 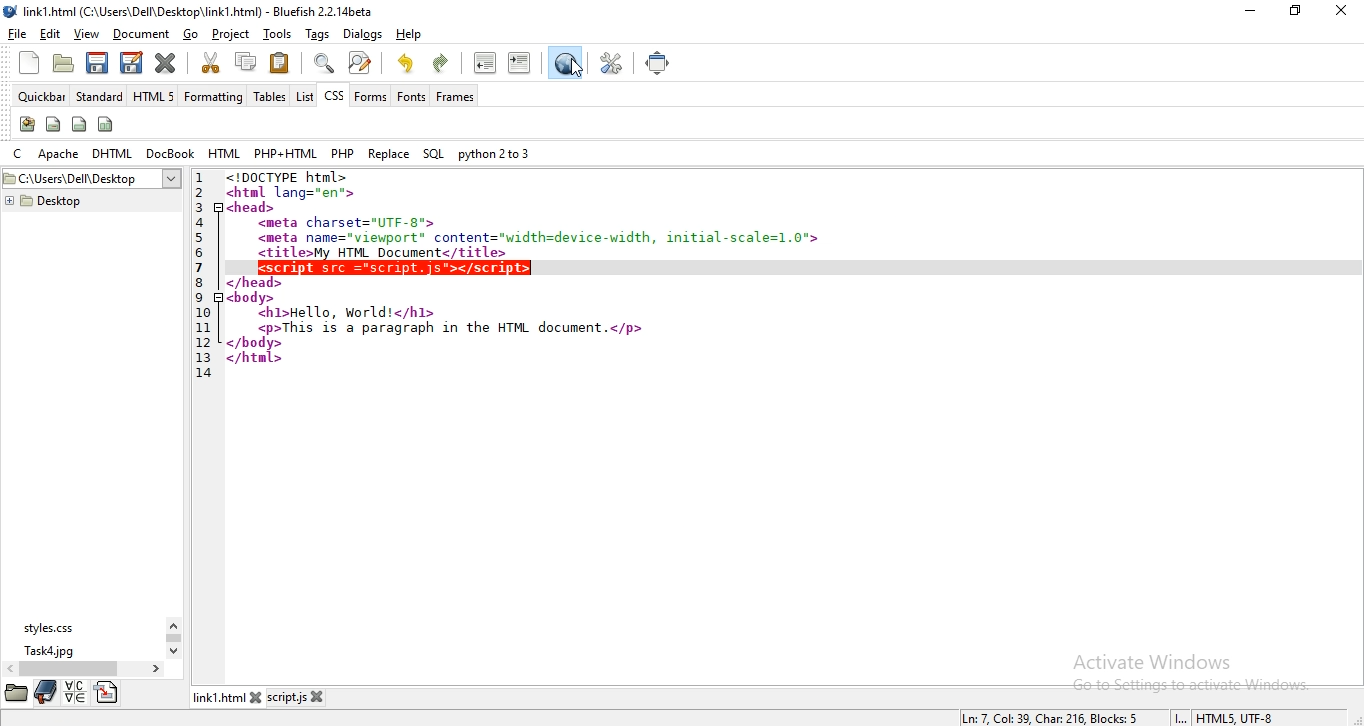 I want to click on 5, so click(x=199, y=238).